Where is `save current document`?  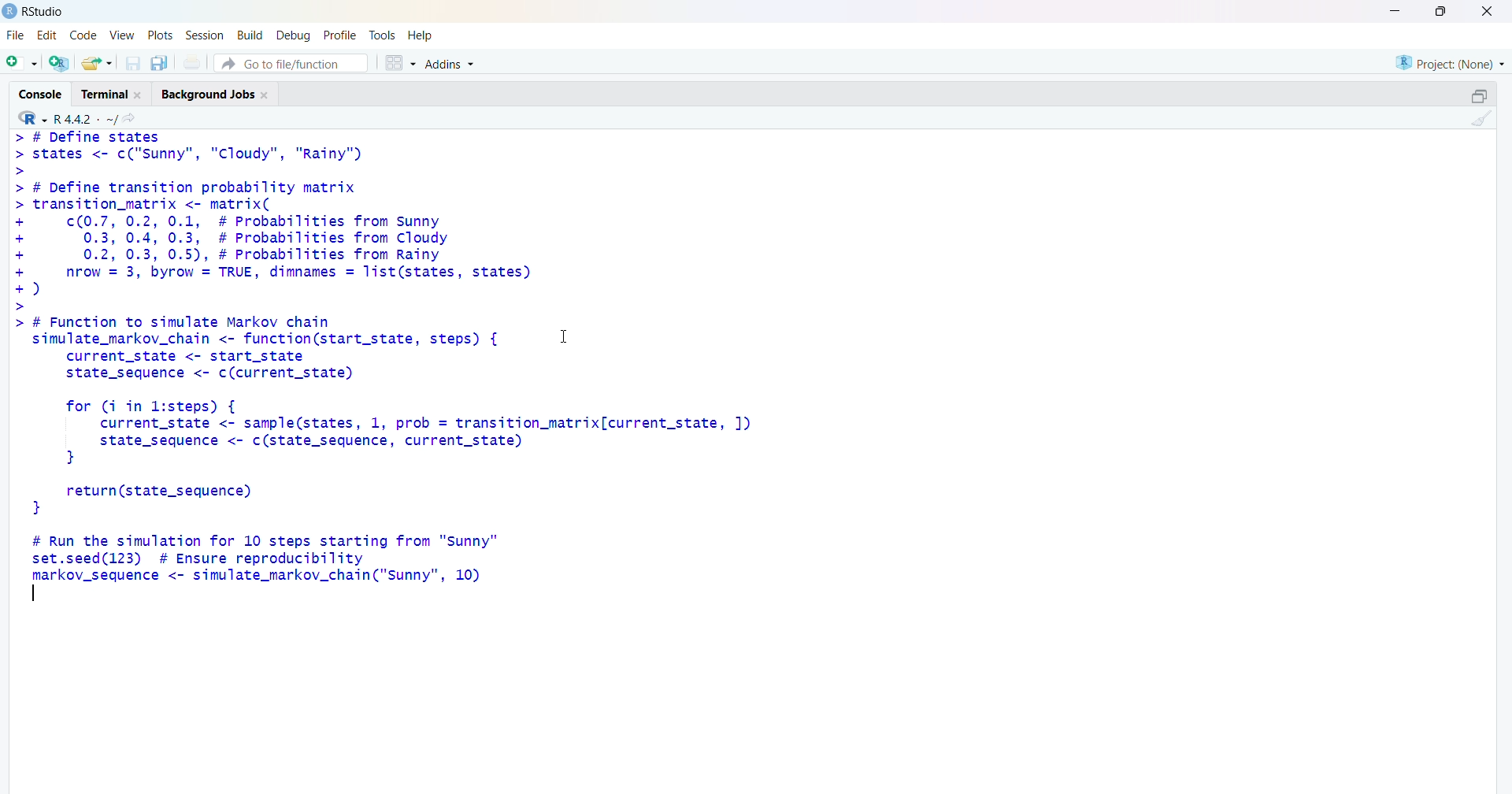
save current document is located at coordinates (133, 64).